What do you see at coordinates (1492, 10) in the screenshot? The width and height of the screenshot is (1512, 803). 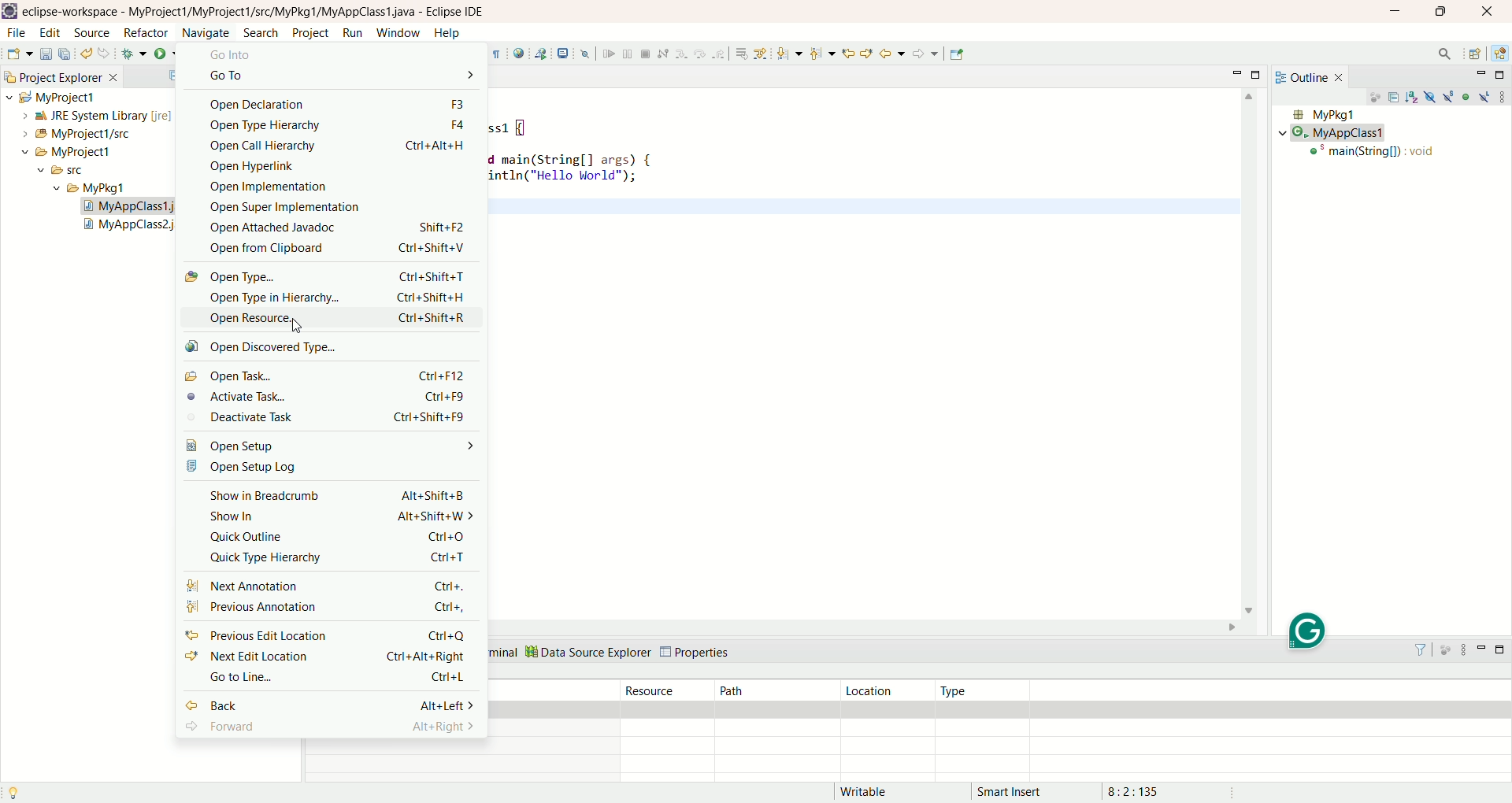 I see `close` at bounding box center [1492, 10].